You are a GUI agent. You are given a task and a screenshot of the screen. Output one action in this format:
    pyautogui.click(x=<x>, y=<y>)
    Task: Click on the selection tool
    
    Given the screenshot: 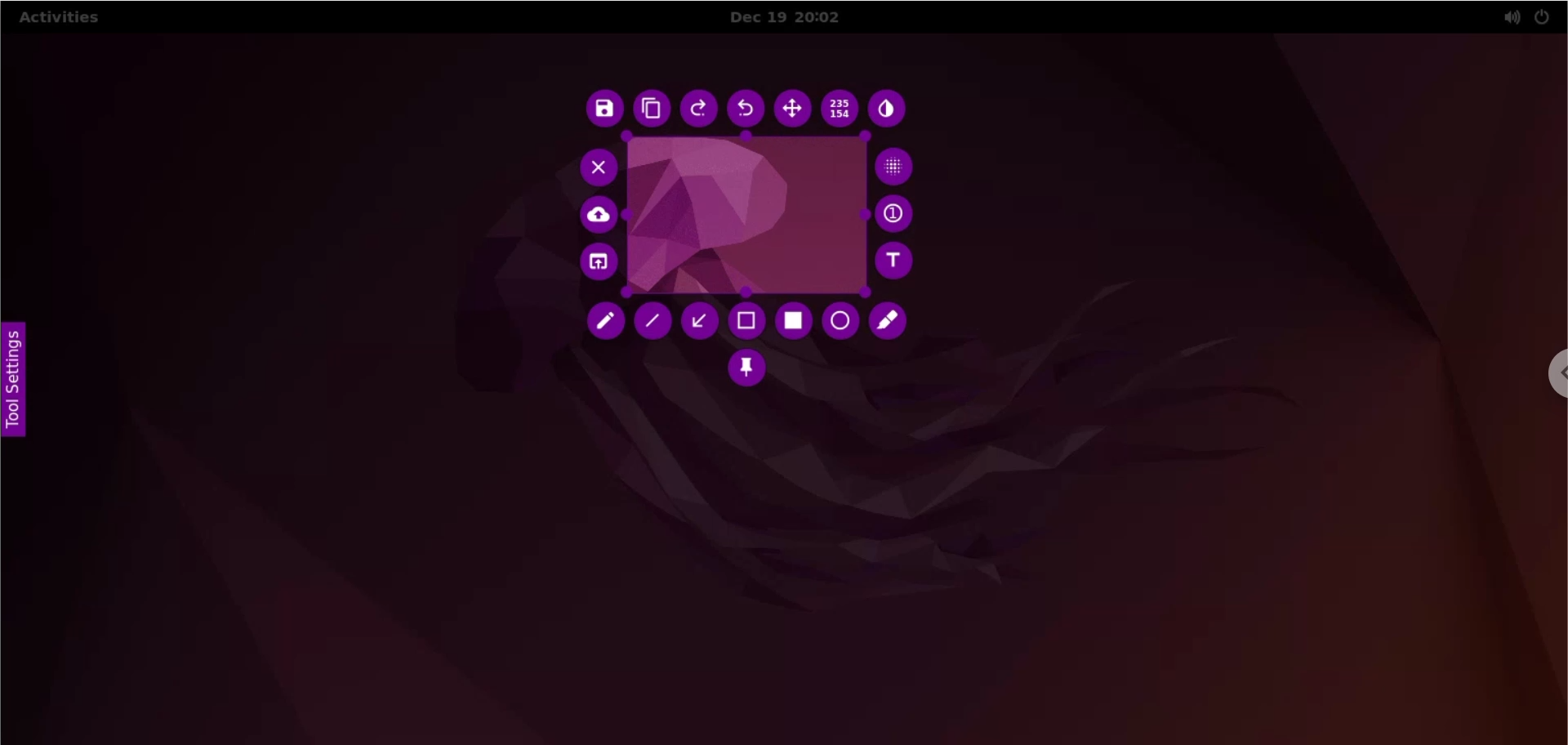 What is the action you would take?
    pyautogui.click(x=749, y=320)
    